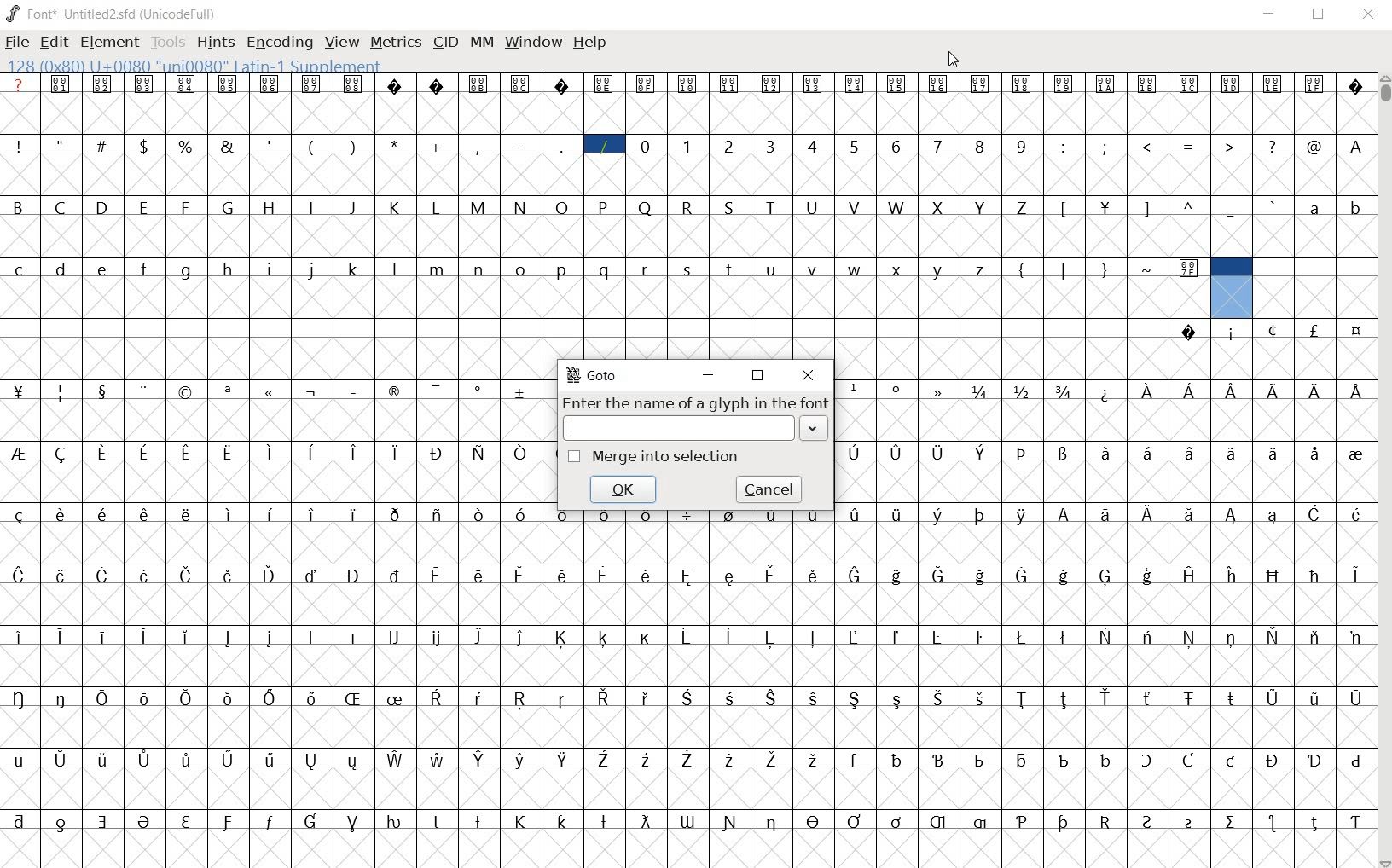  What do you see at coordinates (774, 270) in the screenshot?
I see `u` at bounding box center [774, 270].